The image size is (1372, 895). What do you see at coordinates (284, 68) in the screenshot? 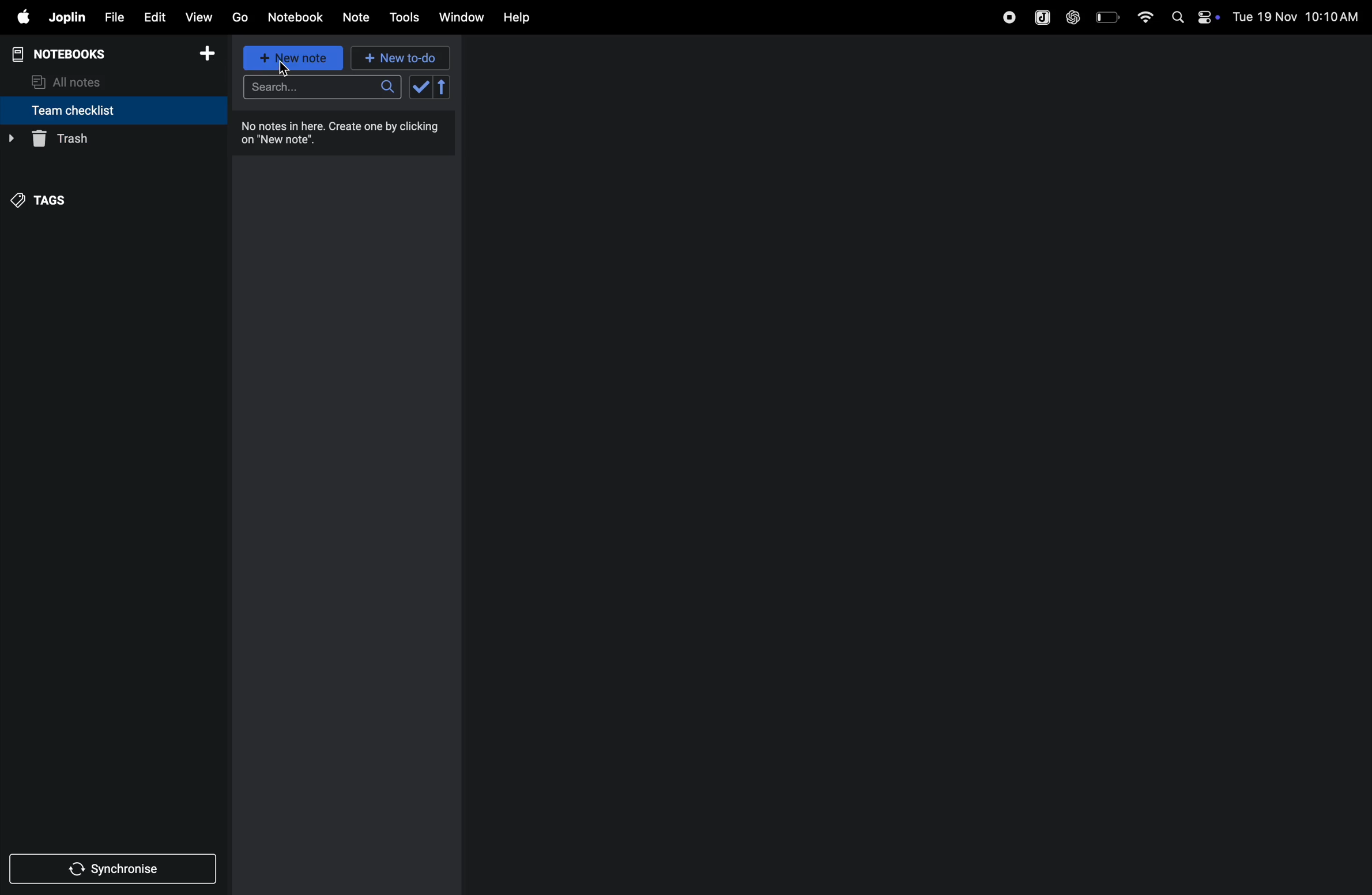
I see `Pointer` at bounding box center [284, 68].